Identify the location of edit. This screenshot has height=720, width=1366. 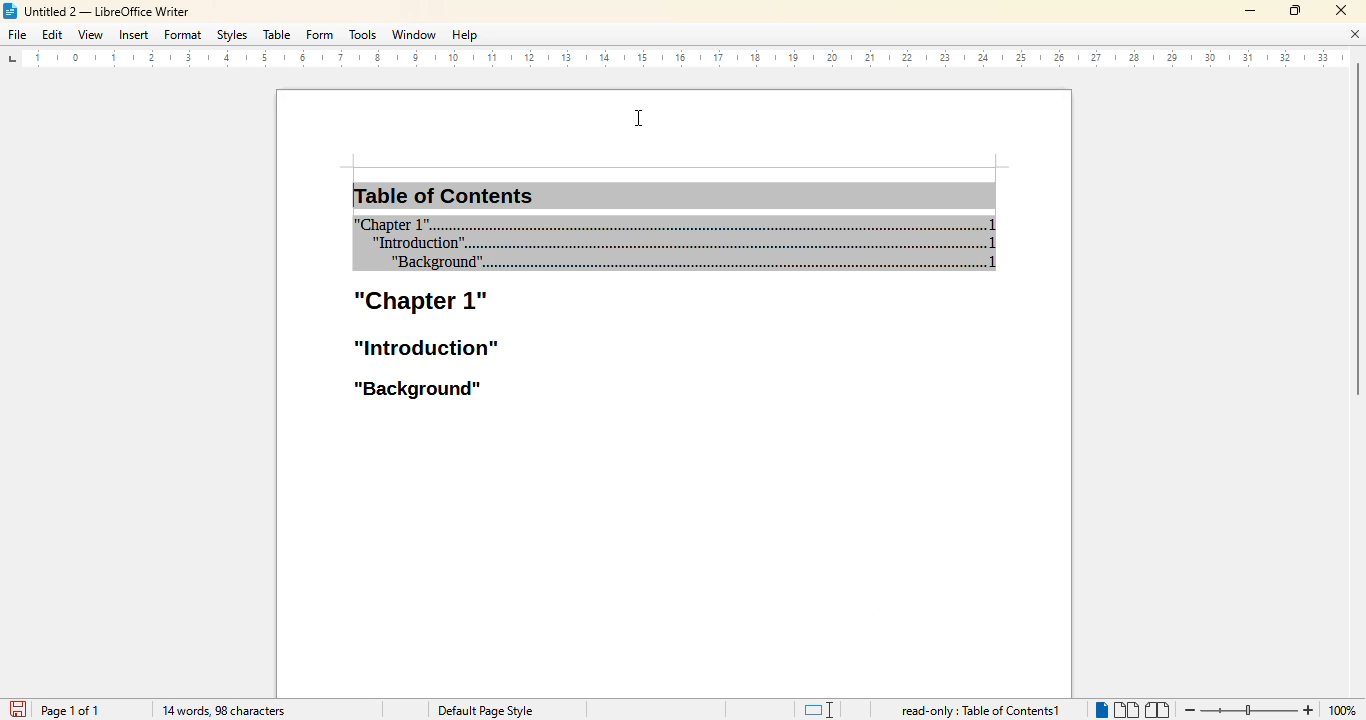
(52, 34).